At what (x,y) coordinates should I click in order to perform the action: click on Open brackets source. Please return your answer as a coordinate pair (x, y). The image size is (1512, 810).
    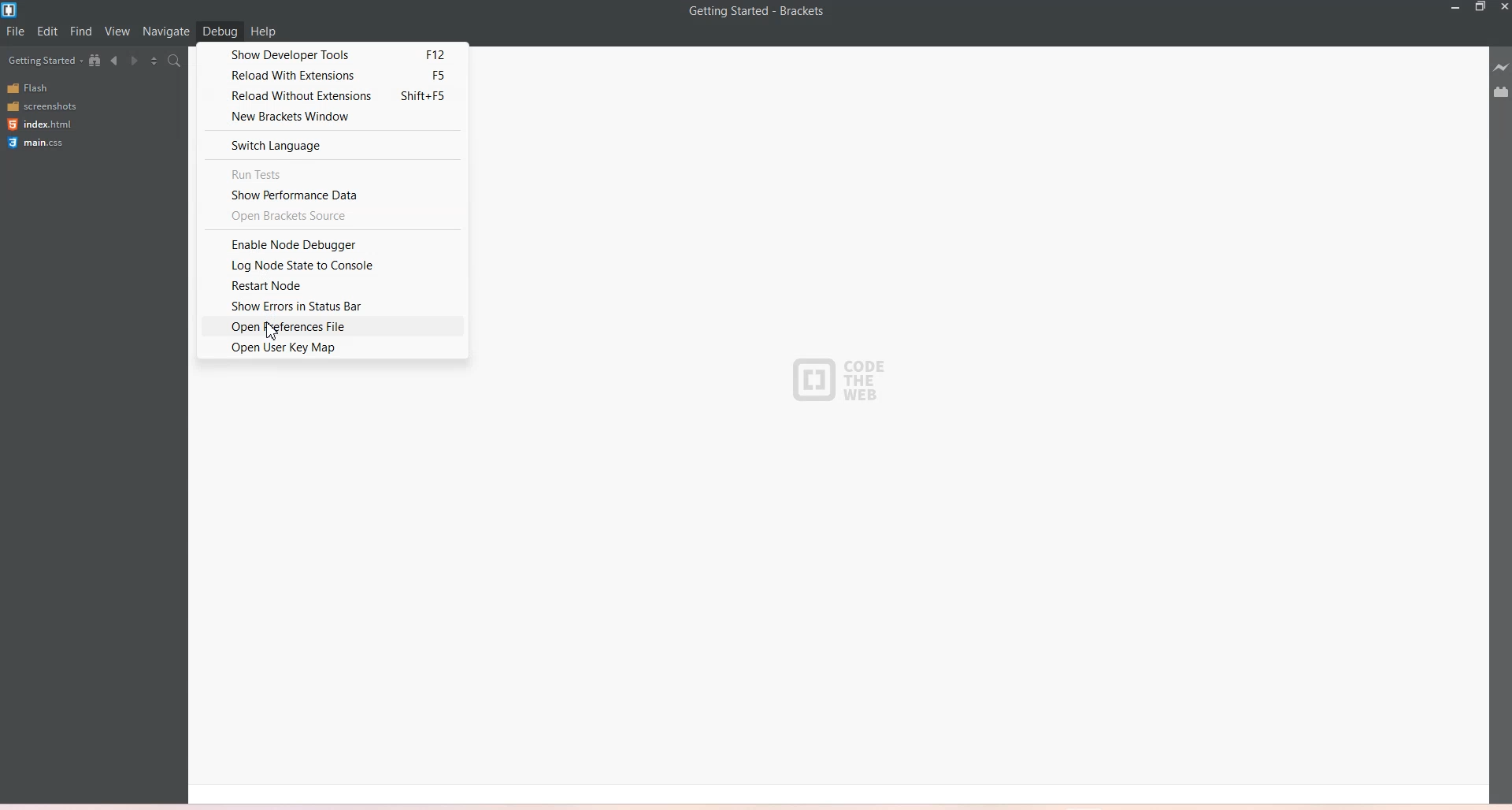
    Looking at the image, I should click on (332, 216).